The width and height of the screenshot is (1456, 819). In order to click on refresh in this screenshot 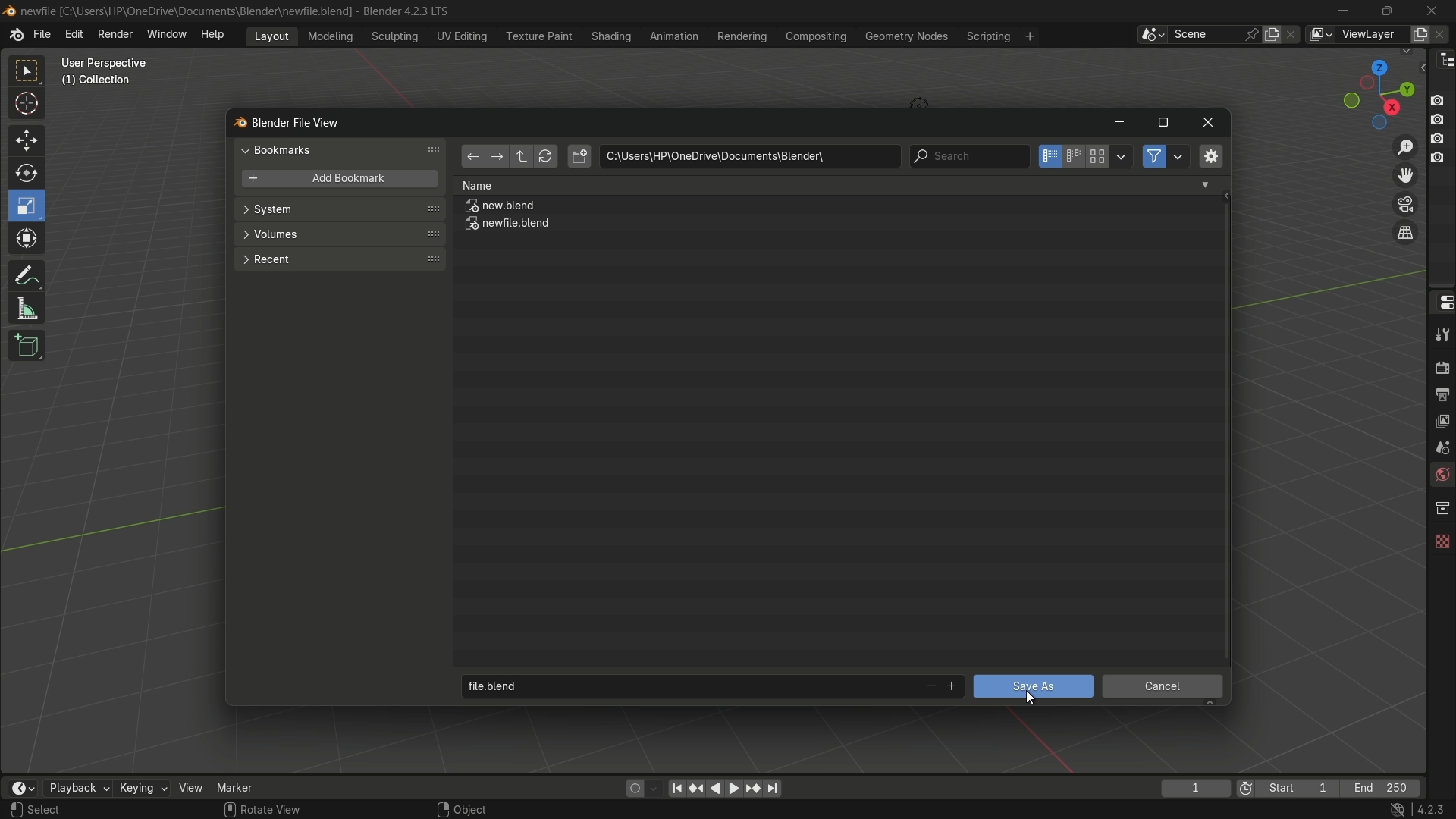, I will do `click(545, 157)`.